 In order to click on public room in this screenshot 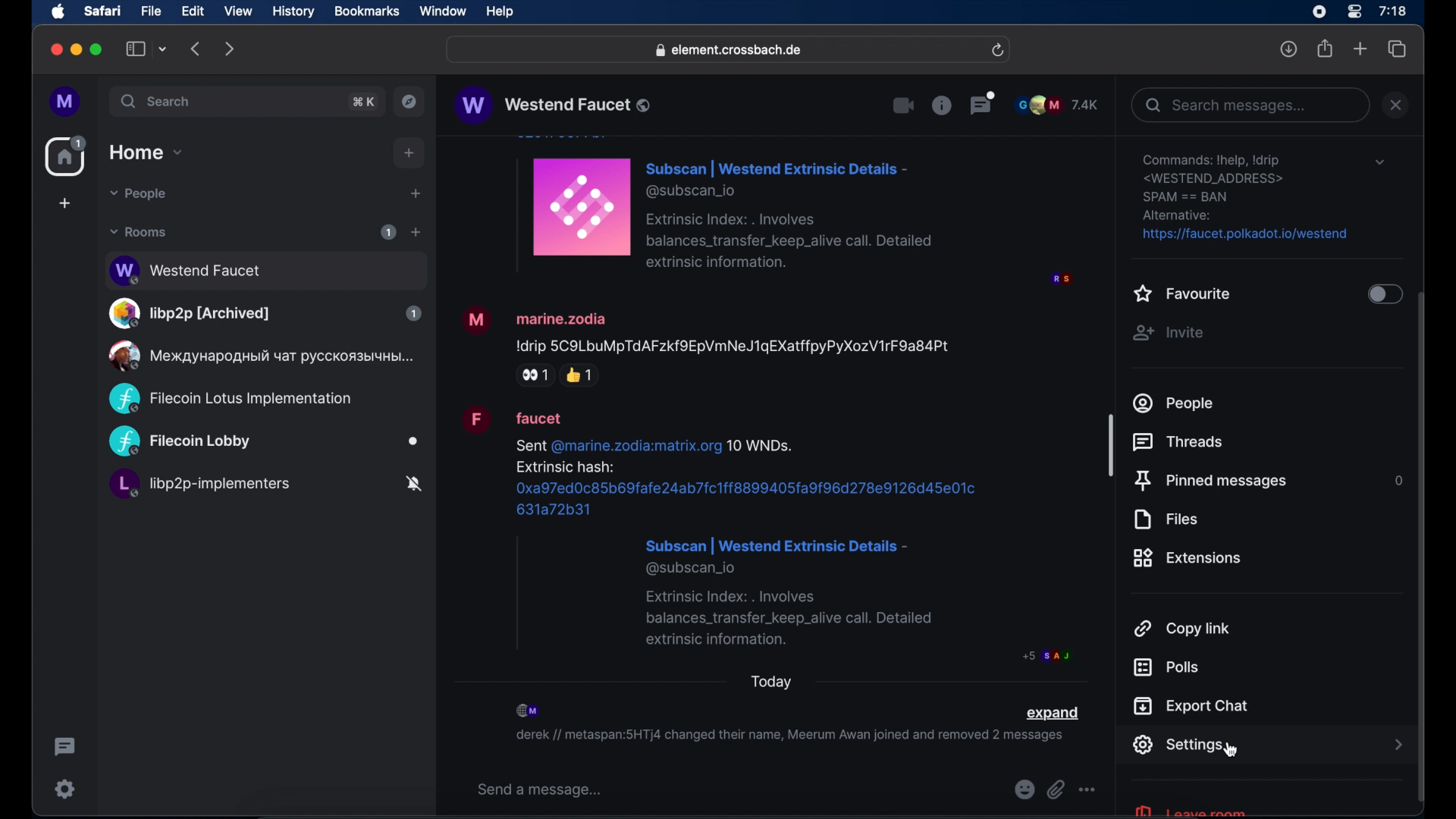, I will do `click(265, 268)`.